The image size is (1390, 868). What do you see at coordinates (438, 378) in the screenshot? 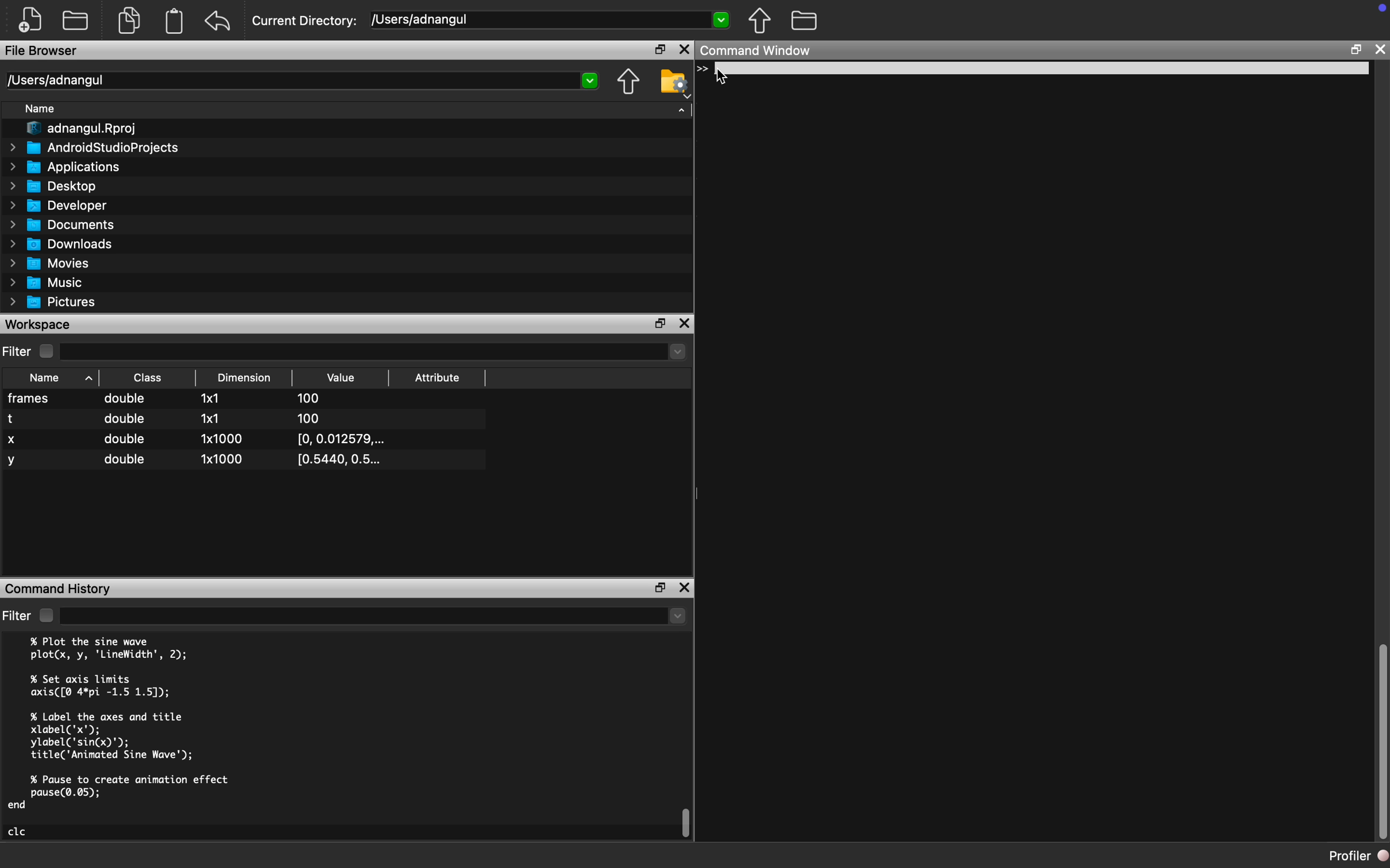
I see `Attribute` at bounding box center [438, 378].